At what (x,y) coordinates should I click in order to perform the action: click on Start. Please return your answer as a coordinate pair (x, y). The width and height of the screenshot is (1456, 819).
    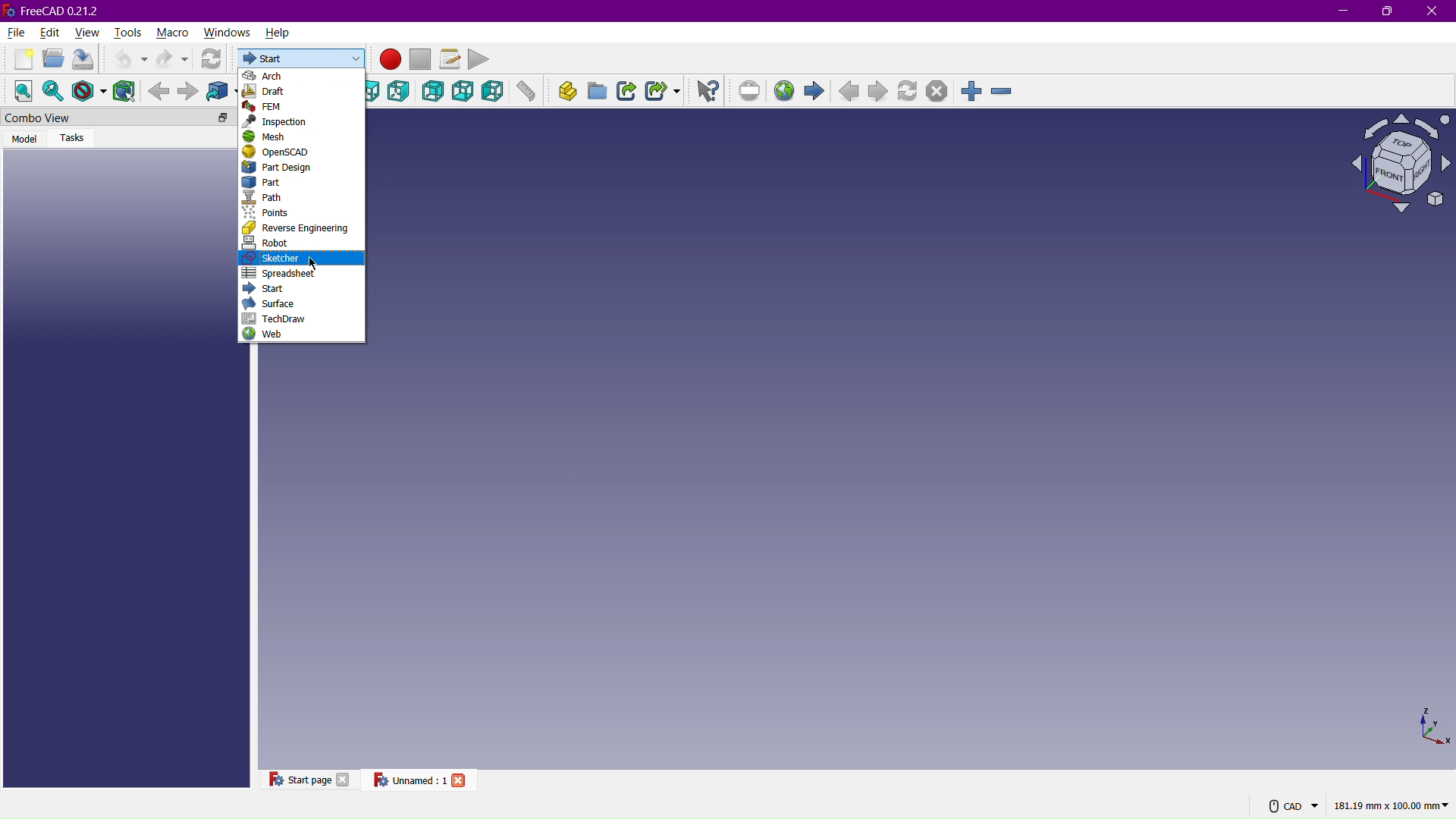
    Looking at the image, I should click on (814, 92).